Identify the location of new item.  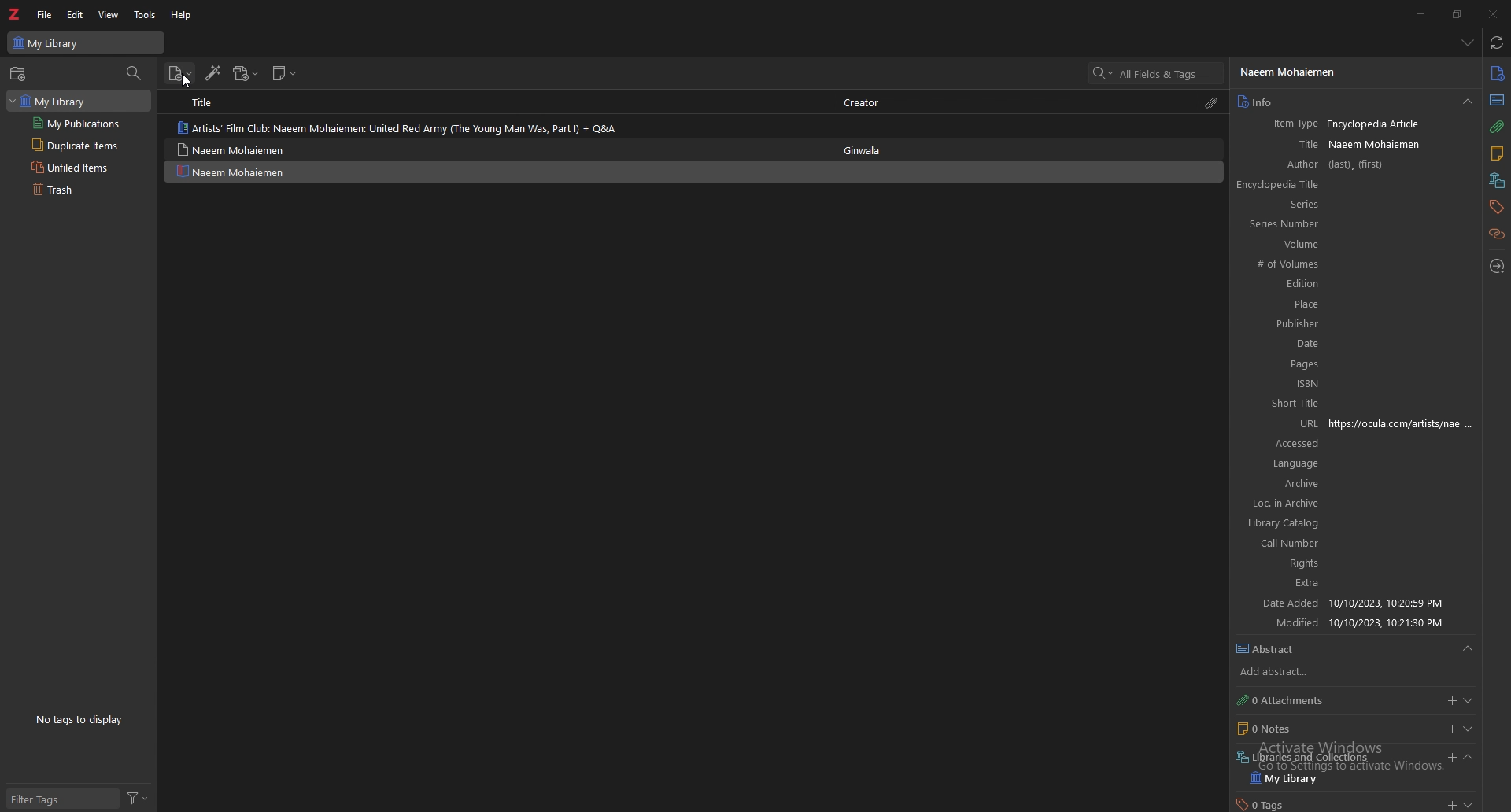
(181, 74).